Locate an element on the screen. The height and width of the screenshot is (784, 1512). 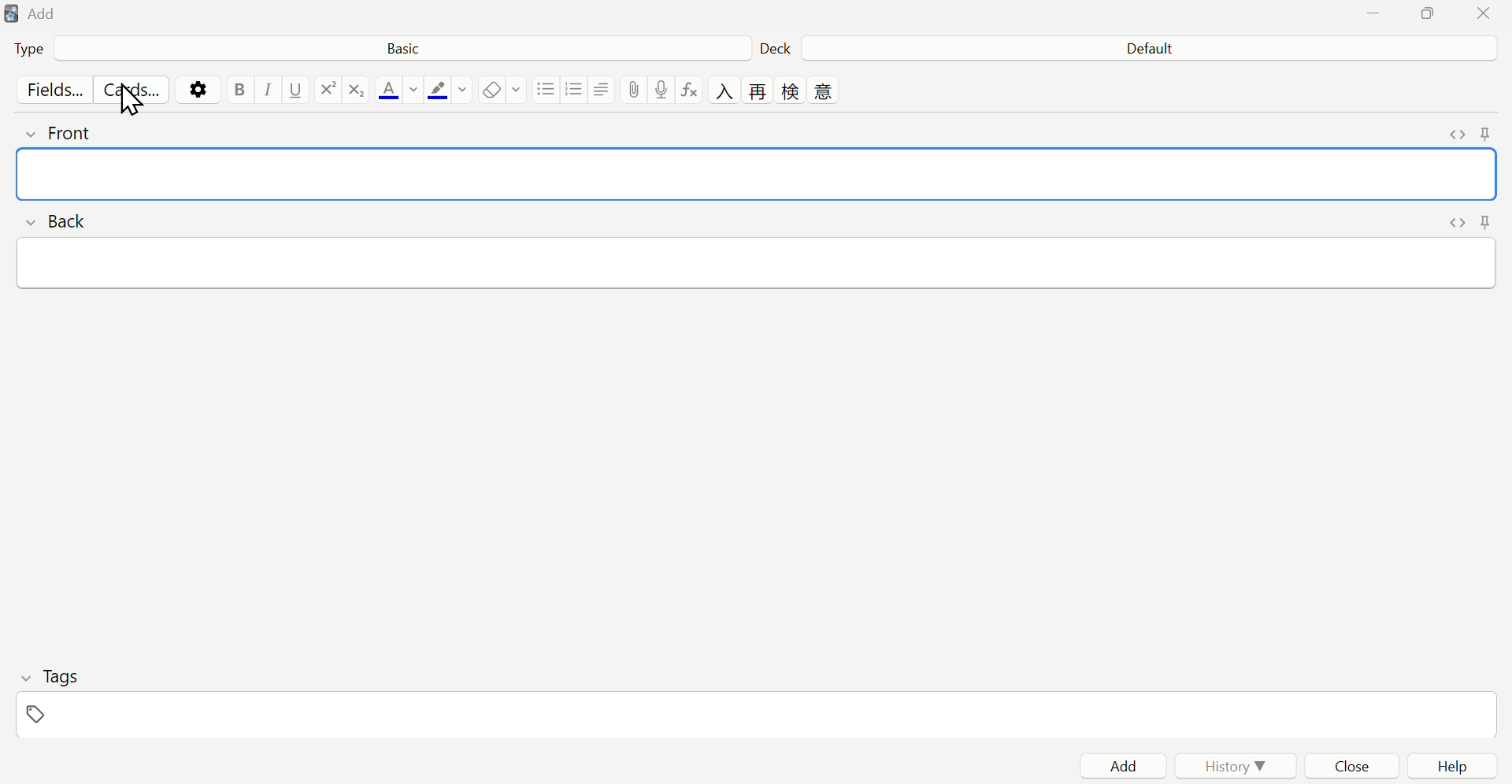
Tags is located at coordinates (67, 697).